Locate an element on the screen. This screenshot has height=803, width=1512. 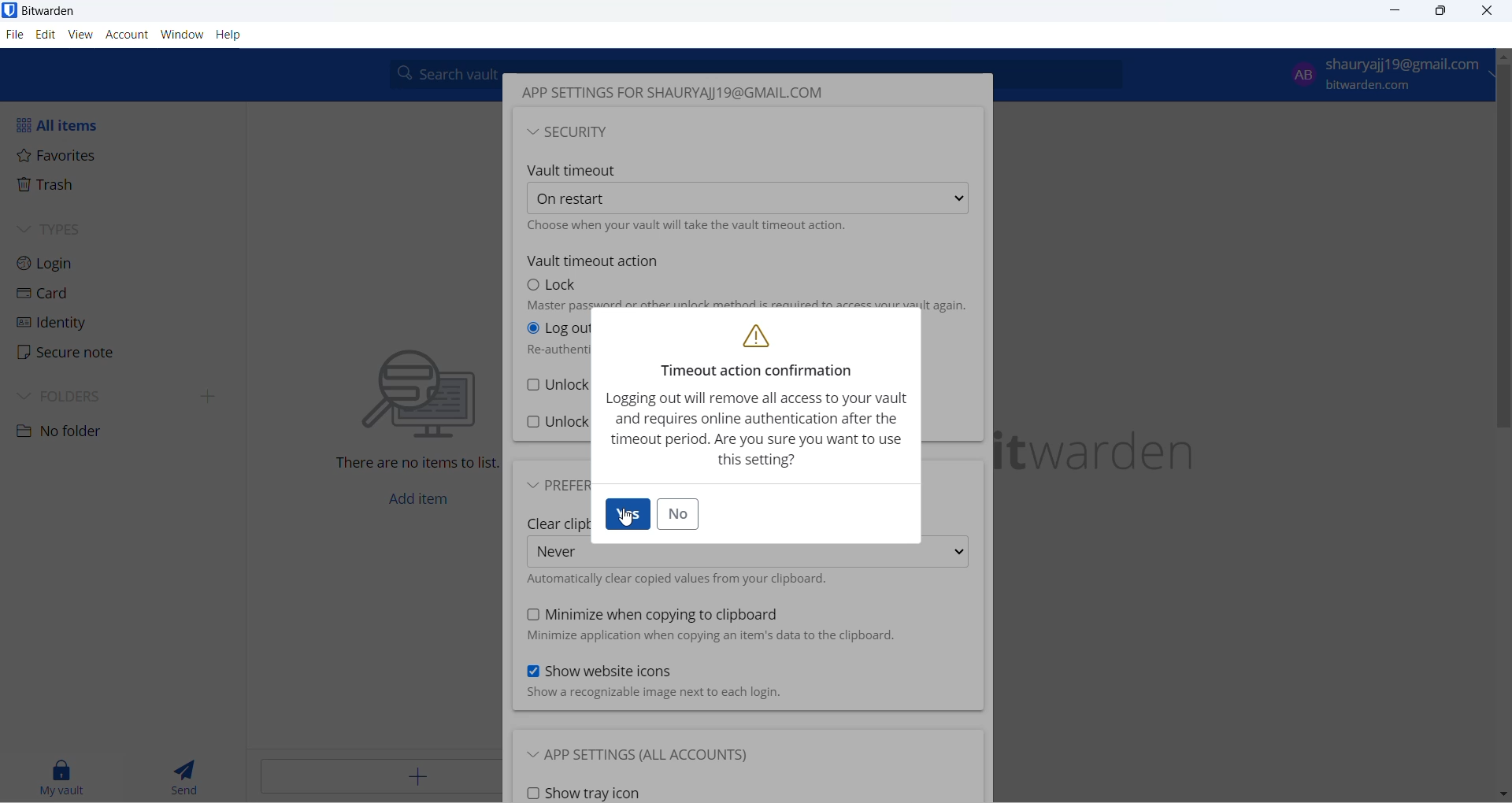
yes is located at coordinates (626, 514).